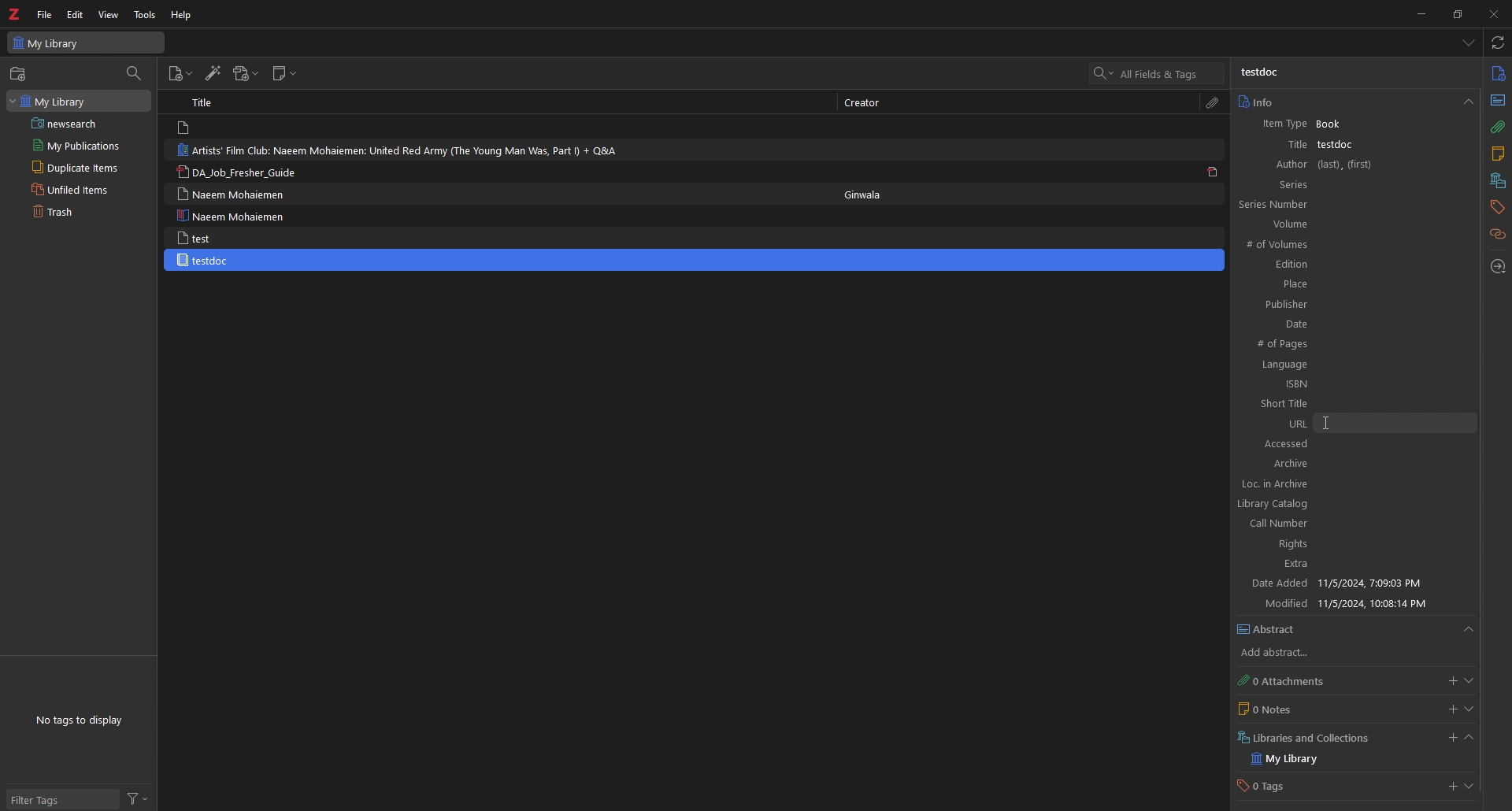 The height and width of the screenshot is (811, 1512). What do you see at coordinates (1493, 13) in the screenshot?
I see `close` at bounding box center [1493, 13].